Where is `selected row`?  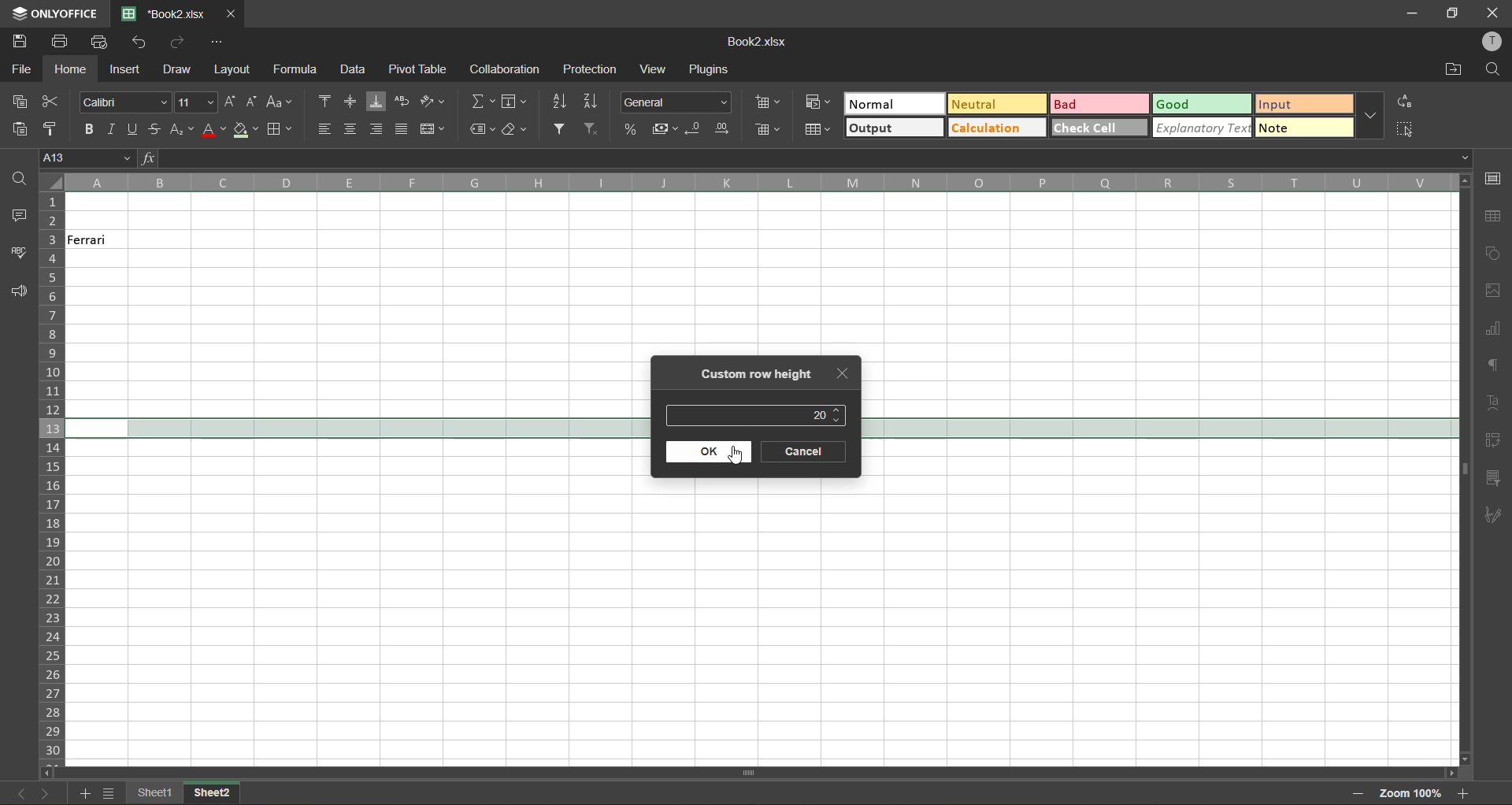
selected row is located at coordinates (1158, 428).